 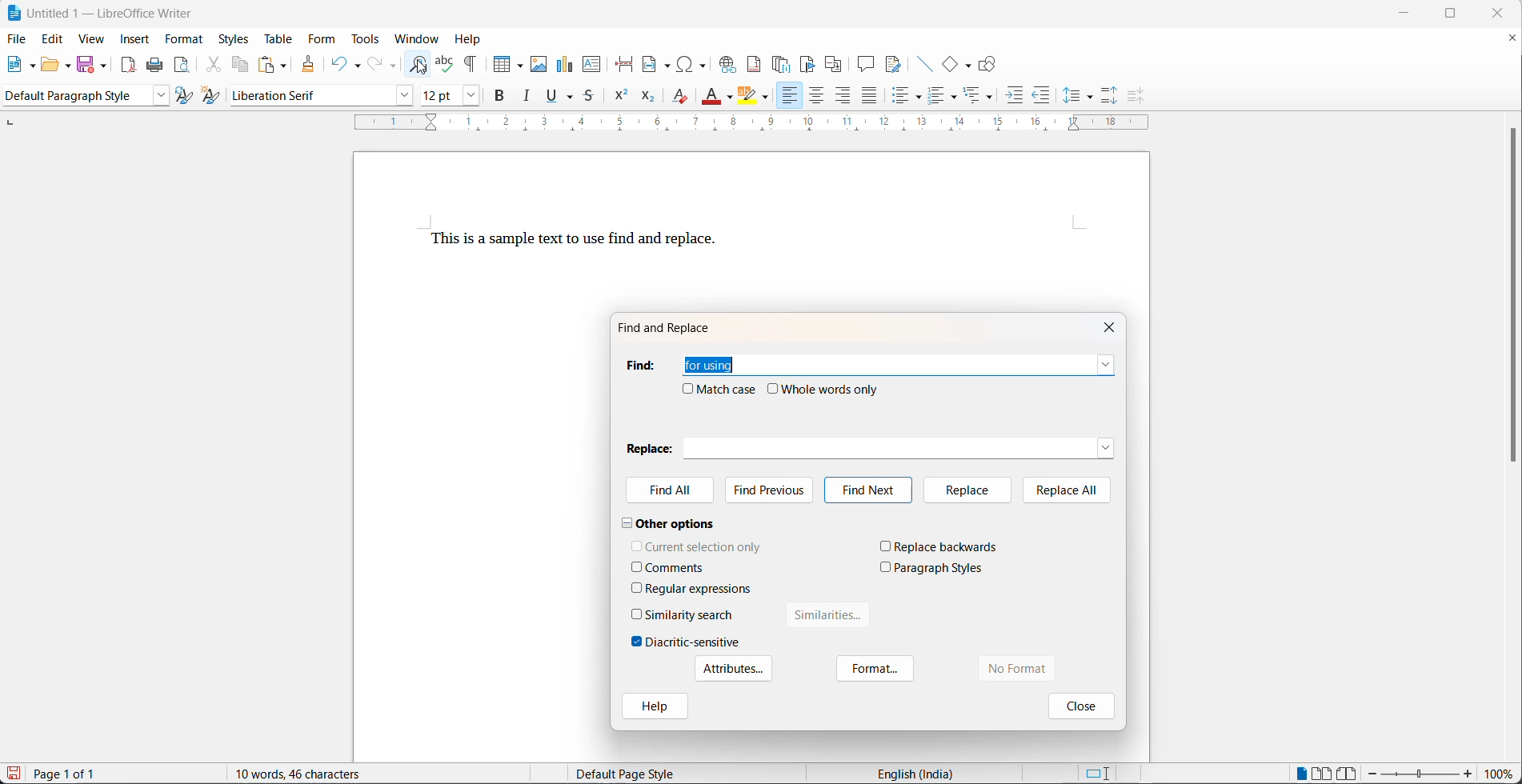 I want to click on show draw functions, so click(x=989, y=64).